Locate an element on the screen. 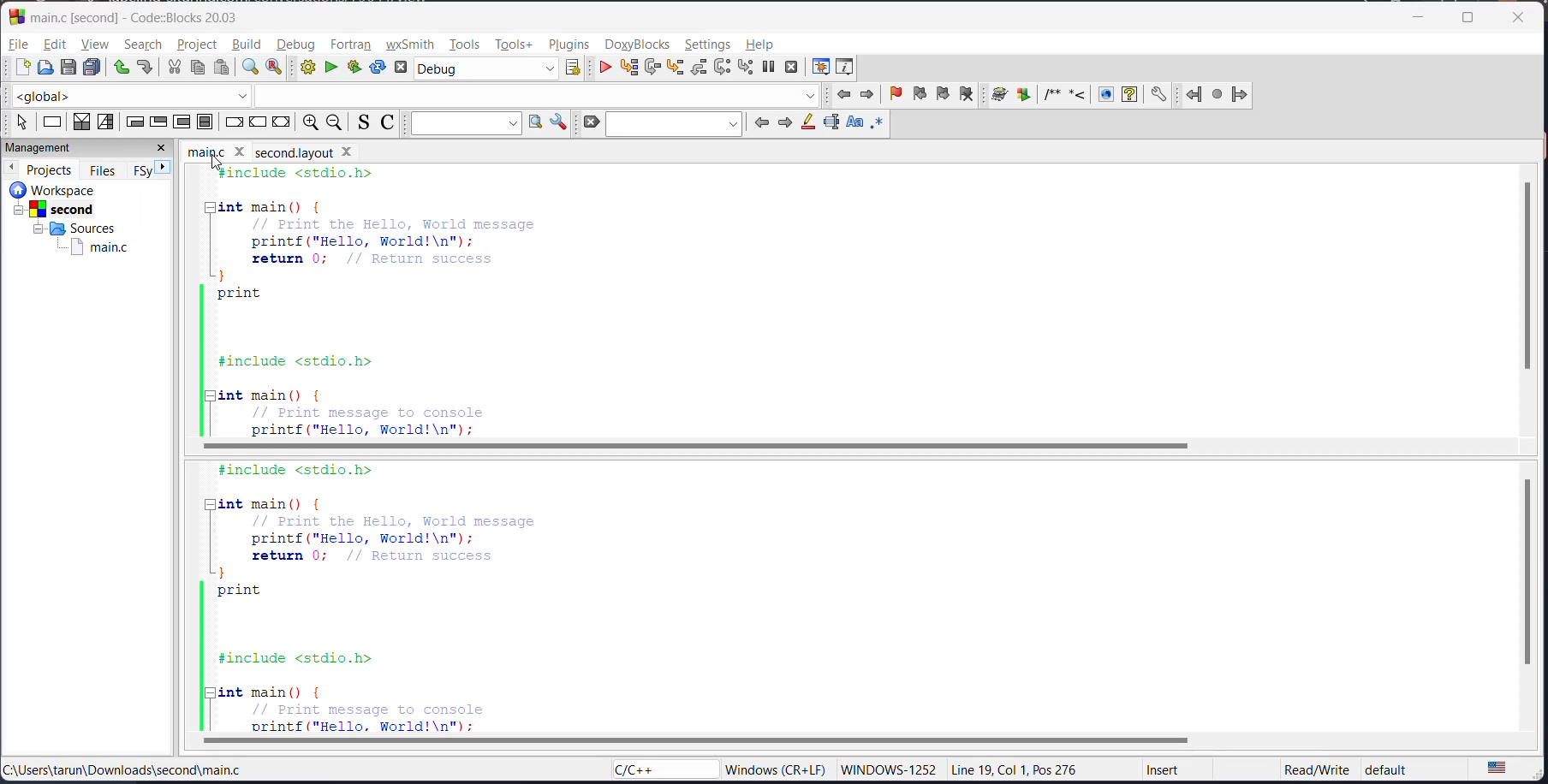 Image resolution: width=1548 pixels, height=784 pixels. counting loop is located at coordinates (181, 122).